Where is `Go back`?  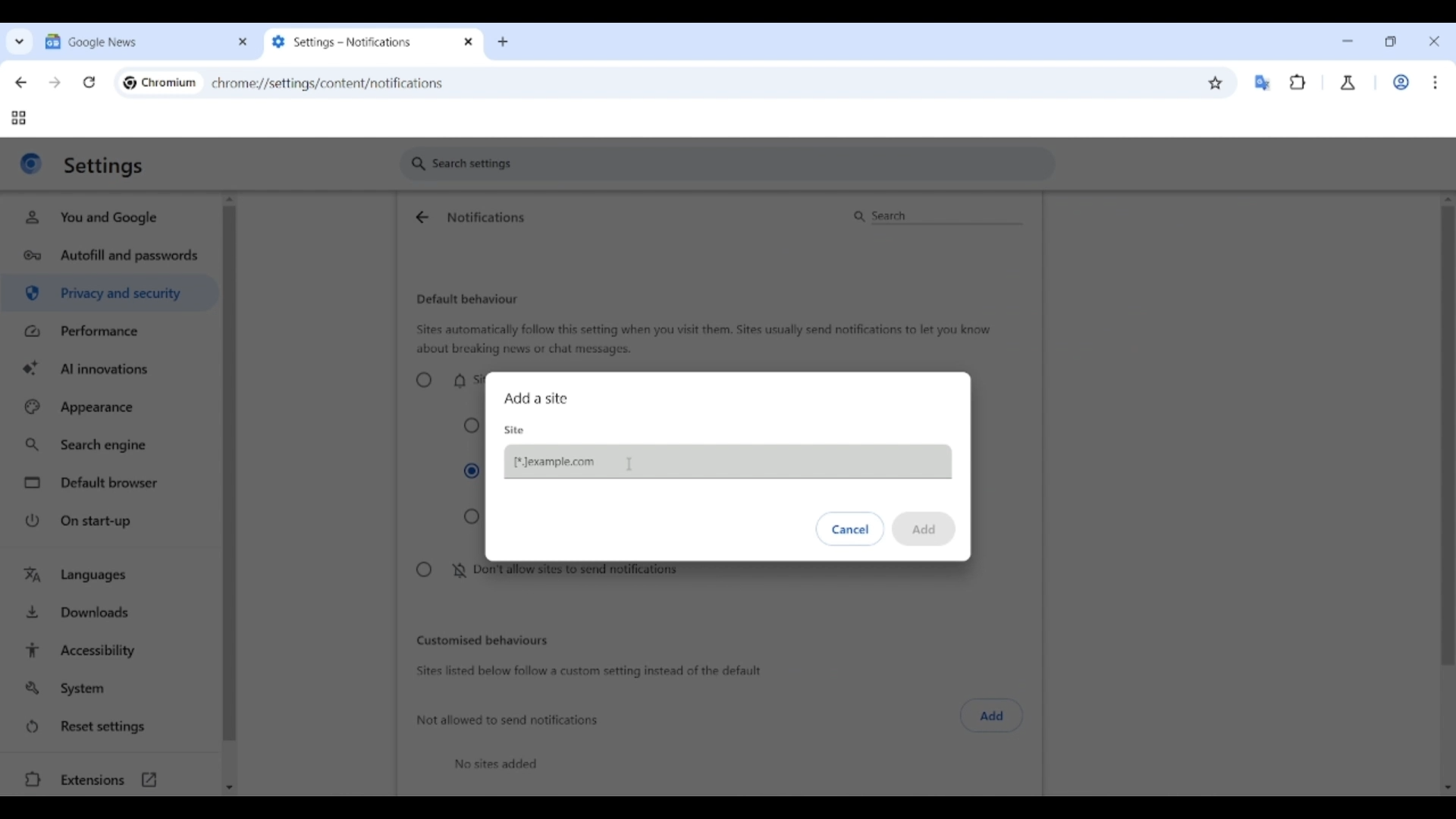 Go back is located at coordinates (20, 83).